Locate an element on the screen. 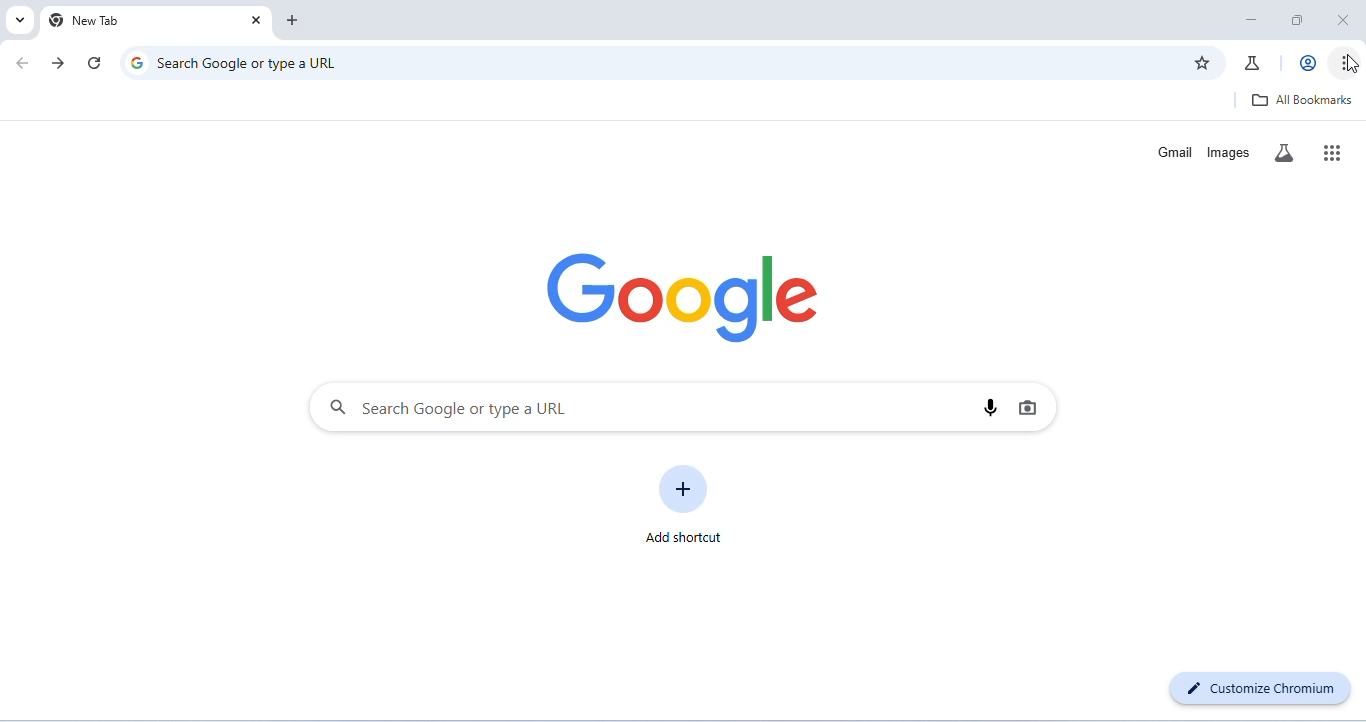  minimize is located at coordinates (1250, 19).